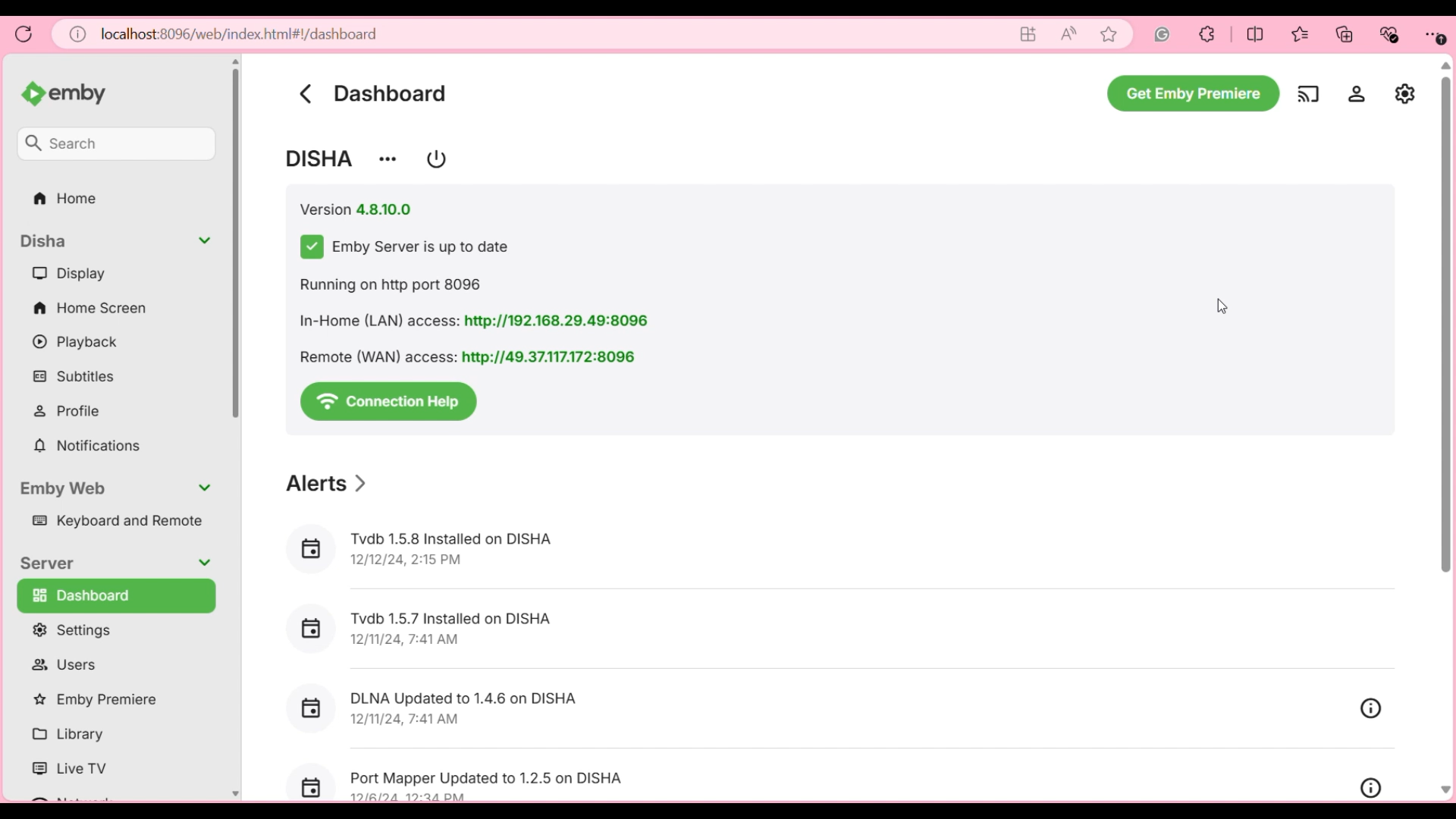 The height and width of the screenshot is (819, 1456). What do you see at coordinates (1447, 428) in the screenshot?
I see `vertical scroll bar` at bounding box center [1447, 428].